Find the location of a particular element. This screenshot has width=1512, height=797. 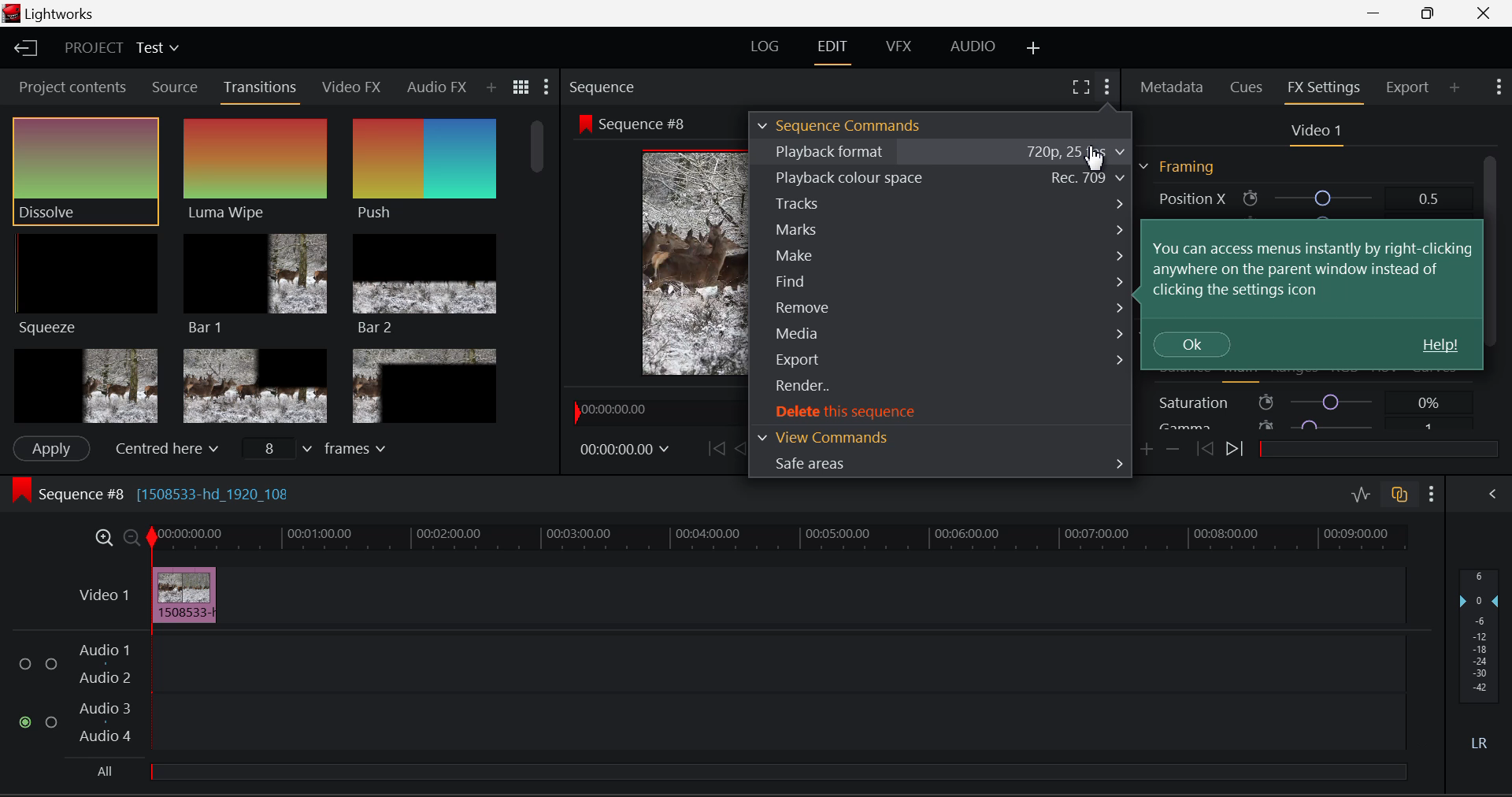

Cues is located at coordinates (1247, 85).